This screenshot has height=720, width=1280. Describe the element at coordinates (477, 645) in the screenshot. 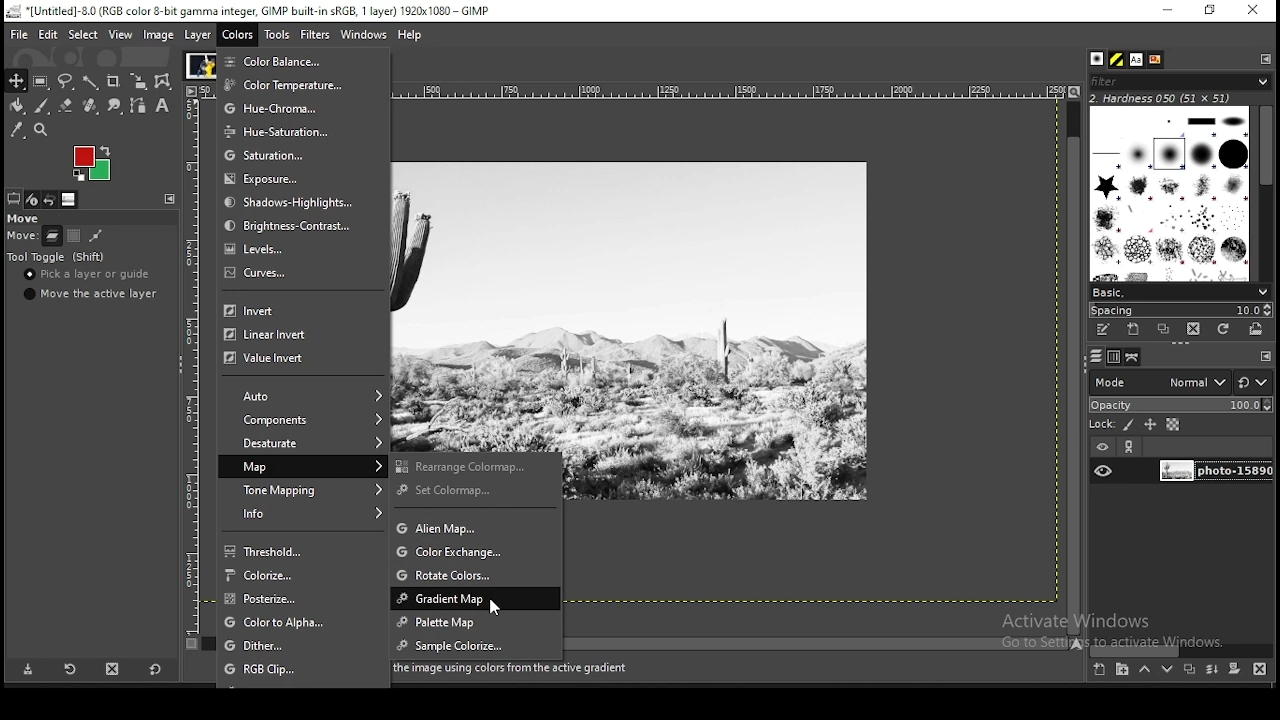

I see `sample colorize` at that location.